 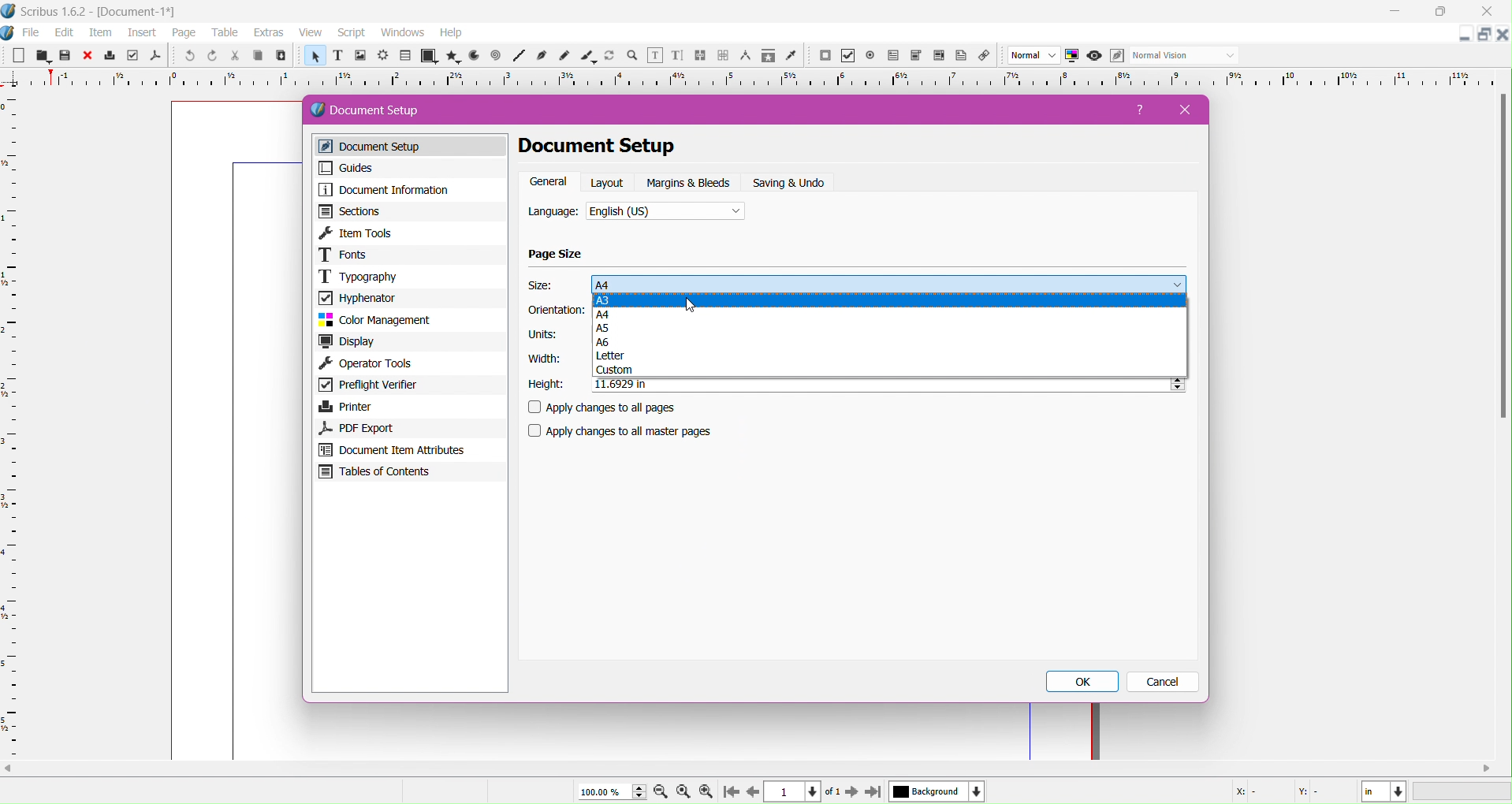 I want to click on app icon, so click(x=9, y=33).